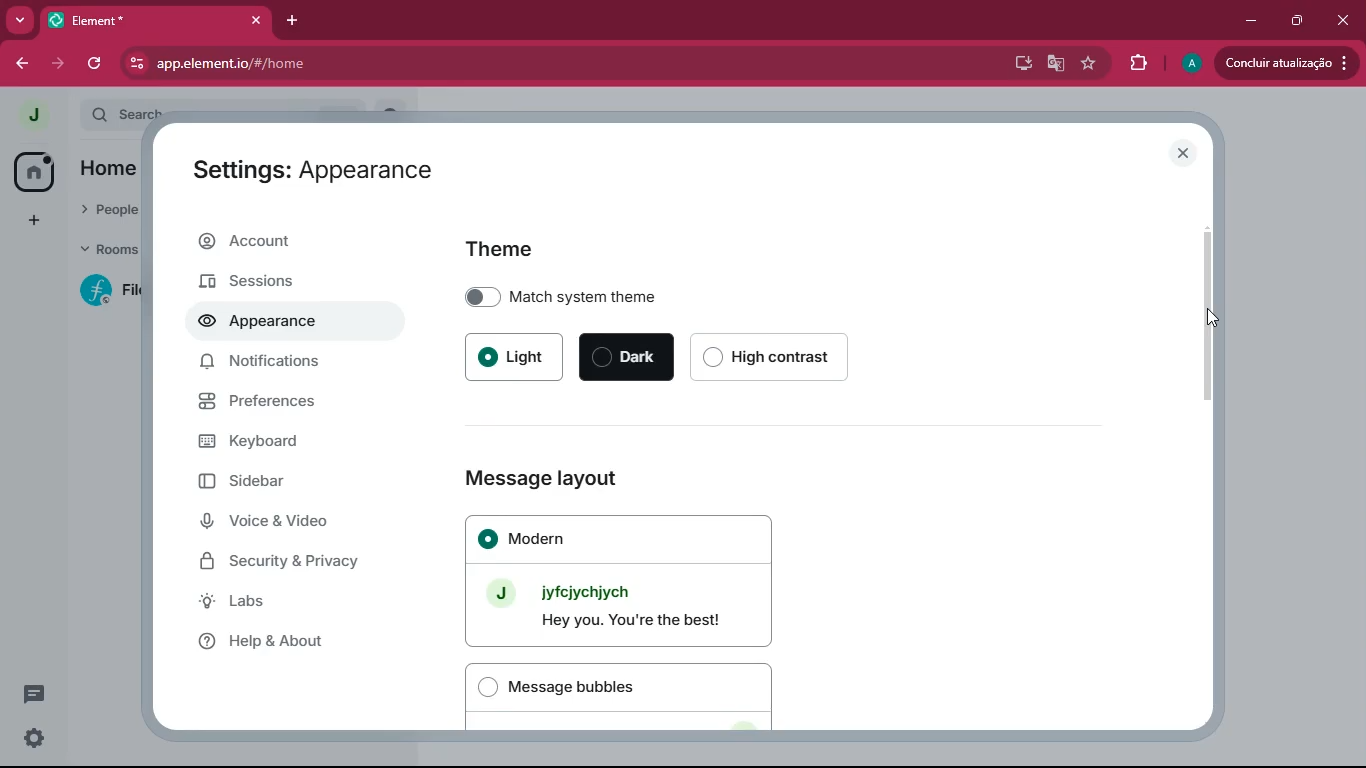 The width and height of the screenshot is (1366, 768). I want to click on light, so click(513, 358).